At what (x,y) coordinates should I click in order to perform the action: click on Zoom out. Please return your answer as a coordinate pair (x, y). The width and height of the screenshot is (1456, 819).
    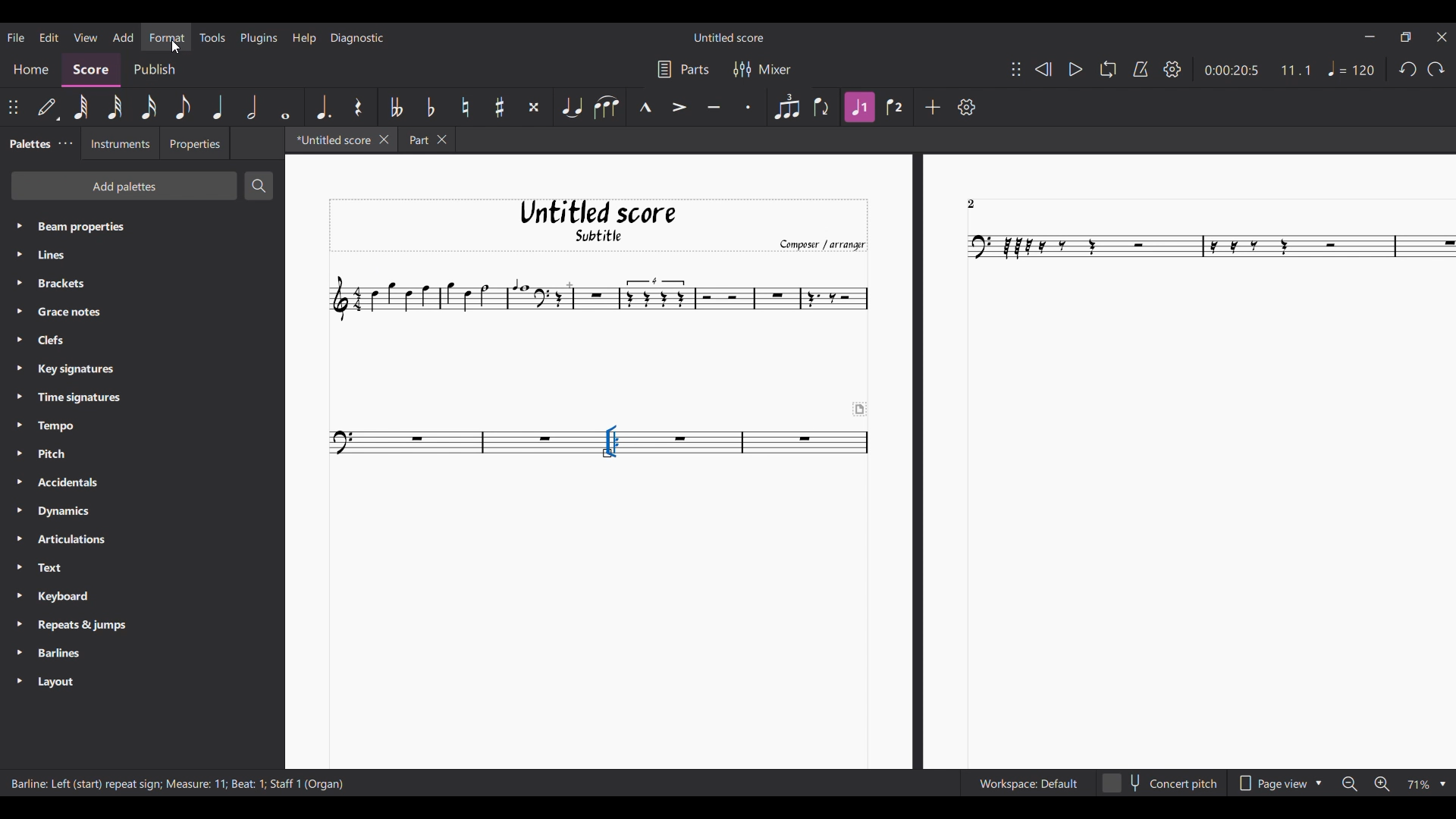
    Looking at the image, I should click on (1350, 784).